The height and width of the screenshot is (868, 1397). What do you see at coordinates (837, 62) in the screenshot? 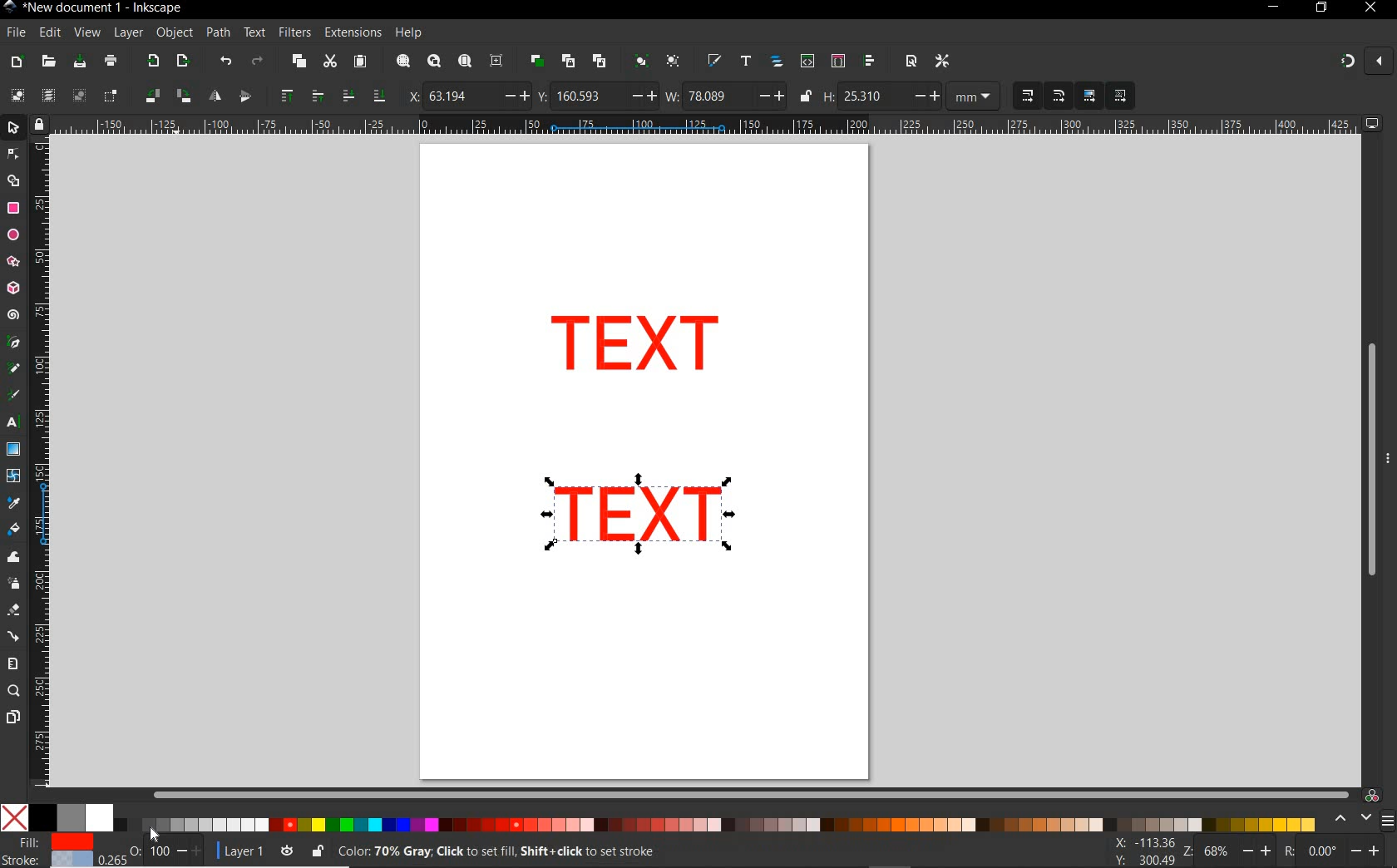
I see `open selectors` at bounding box center [837, 62].